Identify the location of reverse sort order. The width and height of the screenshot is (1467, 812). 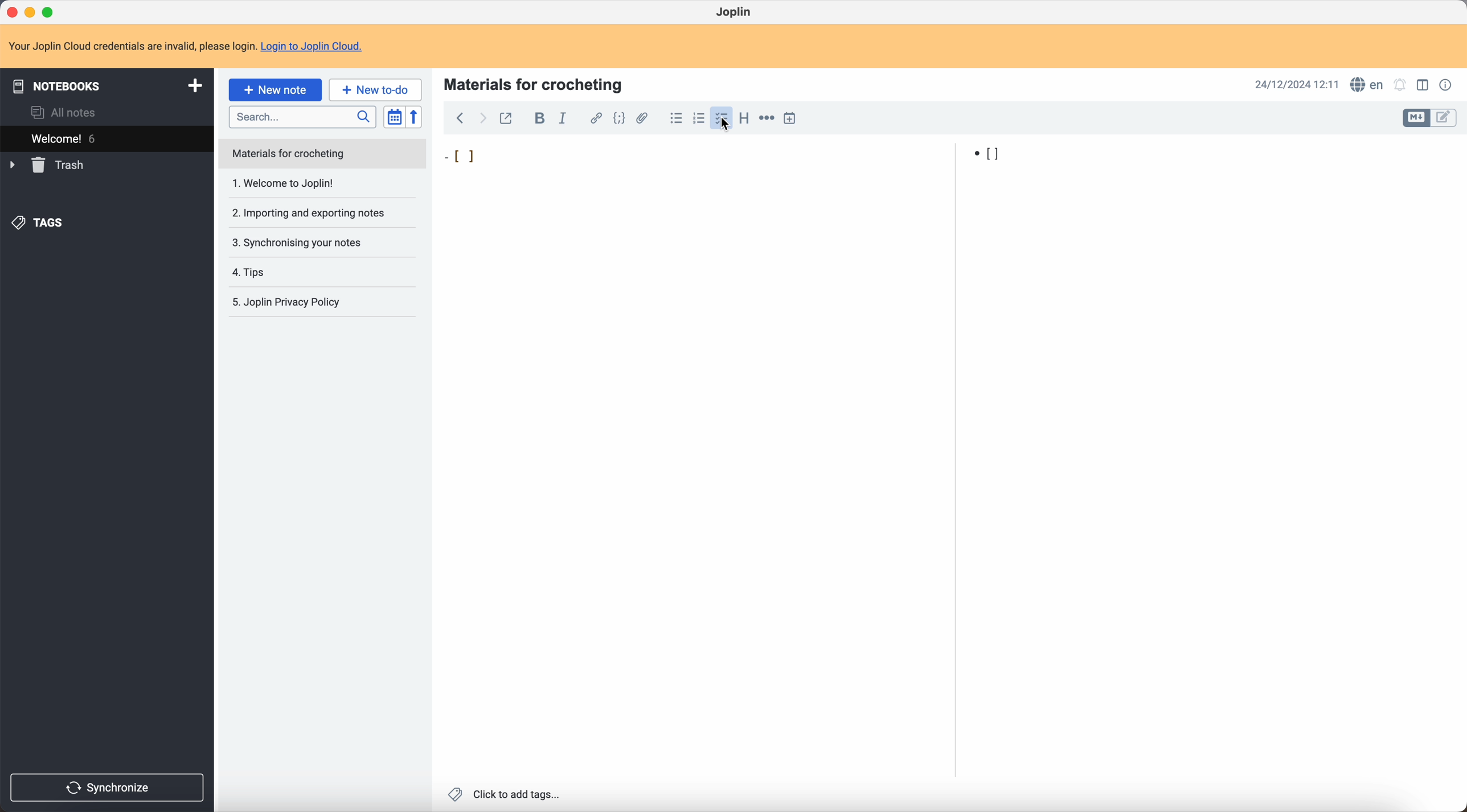
(416, 117).